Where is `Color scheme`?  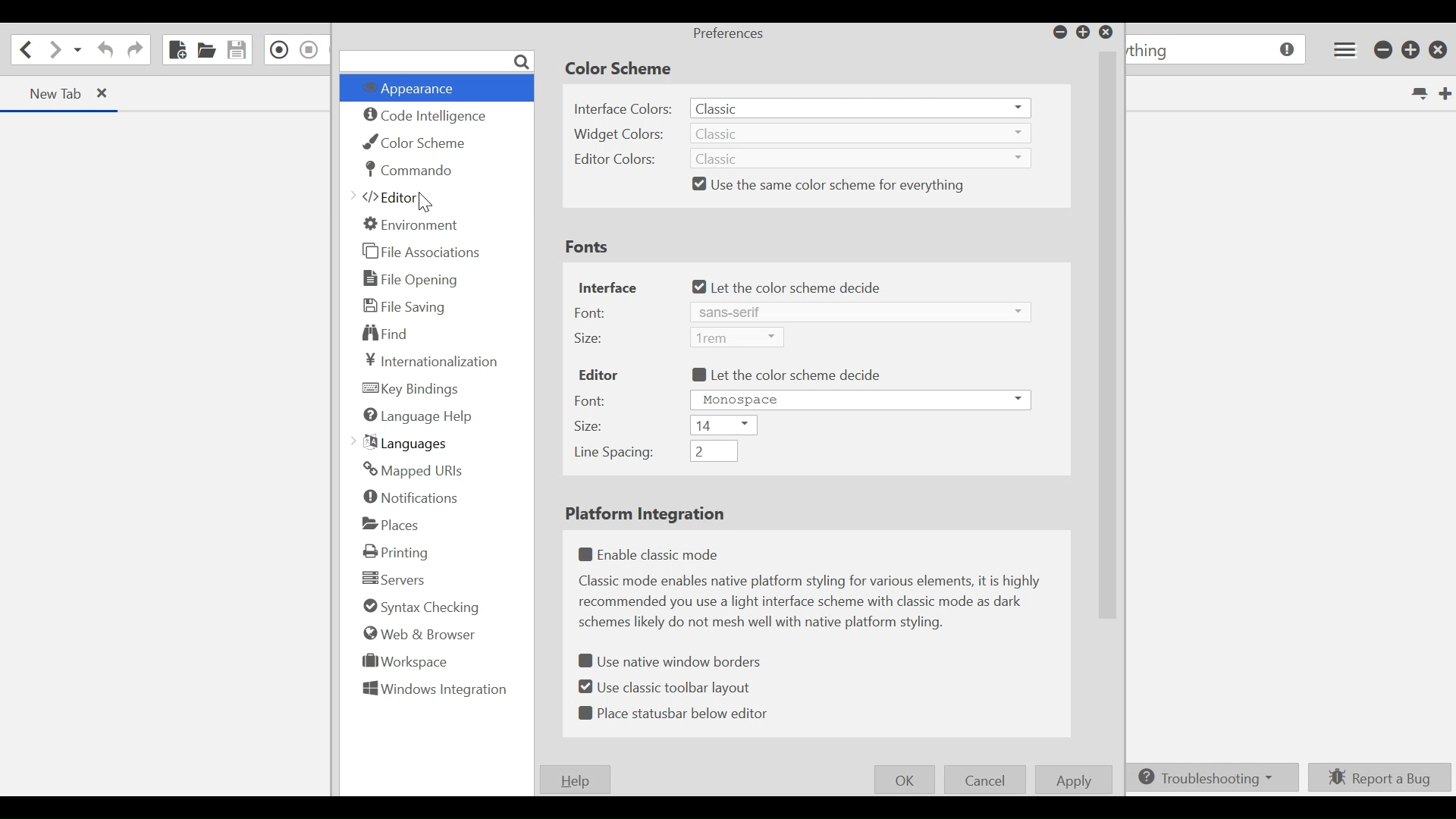
Color scheme is located at coordinates (622, 70).